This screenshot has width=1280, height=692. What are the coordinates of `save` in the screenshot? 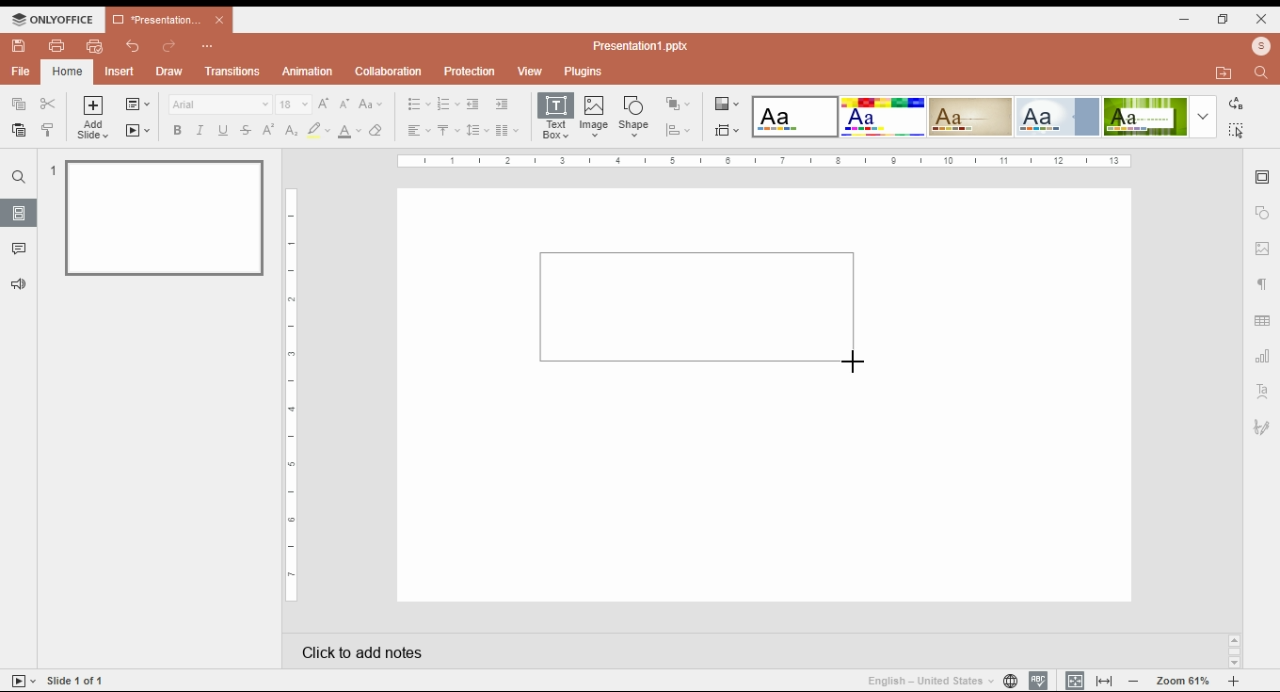 It's located at (20, 46).